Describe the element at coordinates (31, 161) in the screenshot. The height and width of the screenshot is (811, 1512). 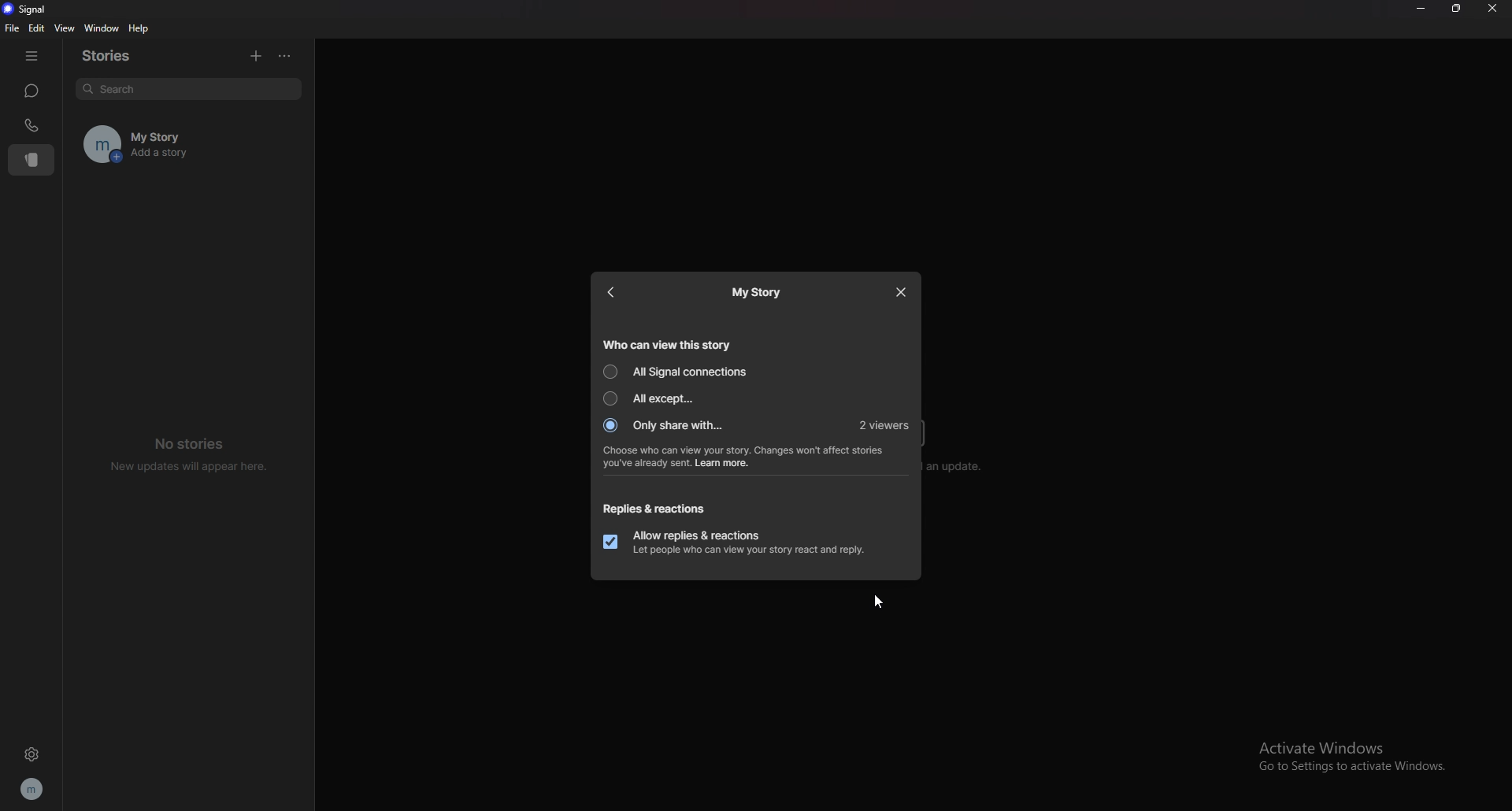
I see `stories` at that location.